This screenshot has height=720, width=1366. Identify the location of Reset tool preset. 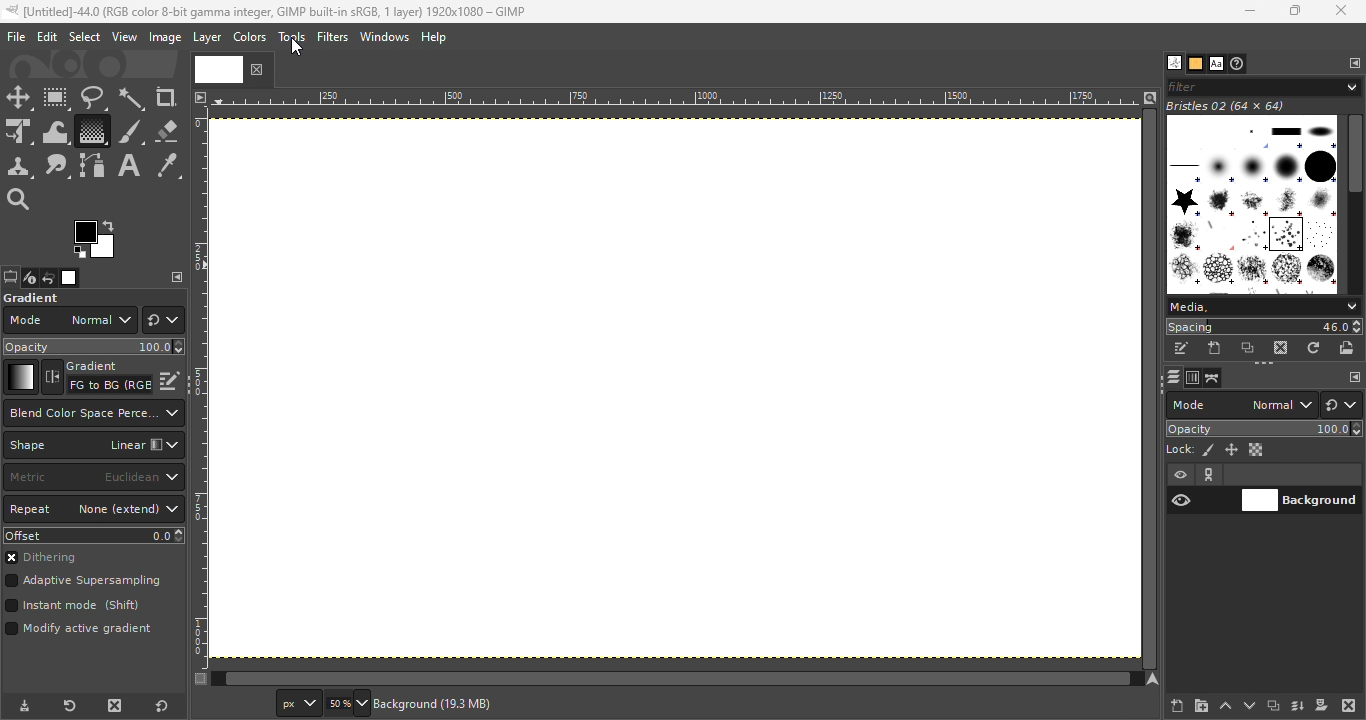
(67, 707).